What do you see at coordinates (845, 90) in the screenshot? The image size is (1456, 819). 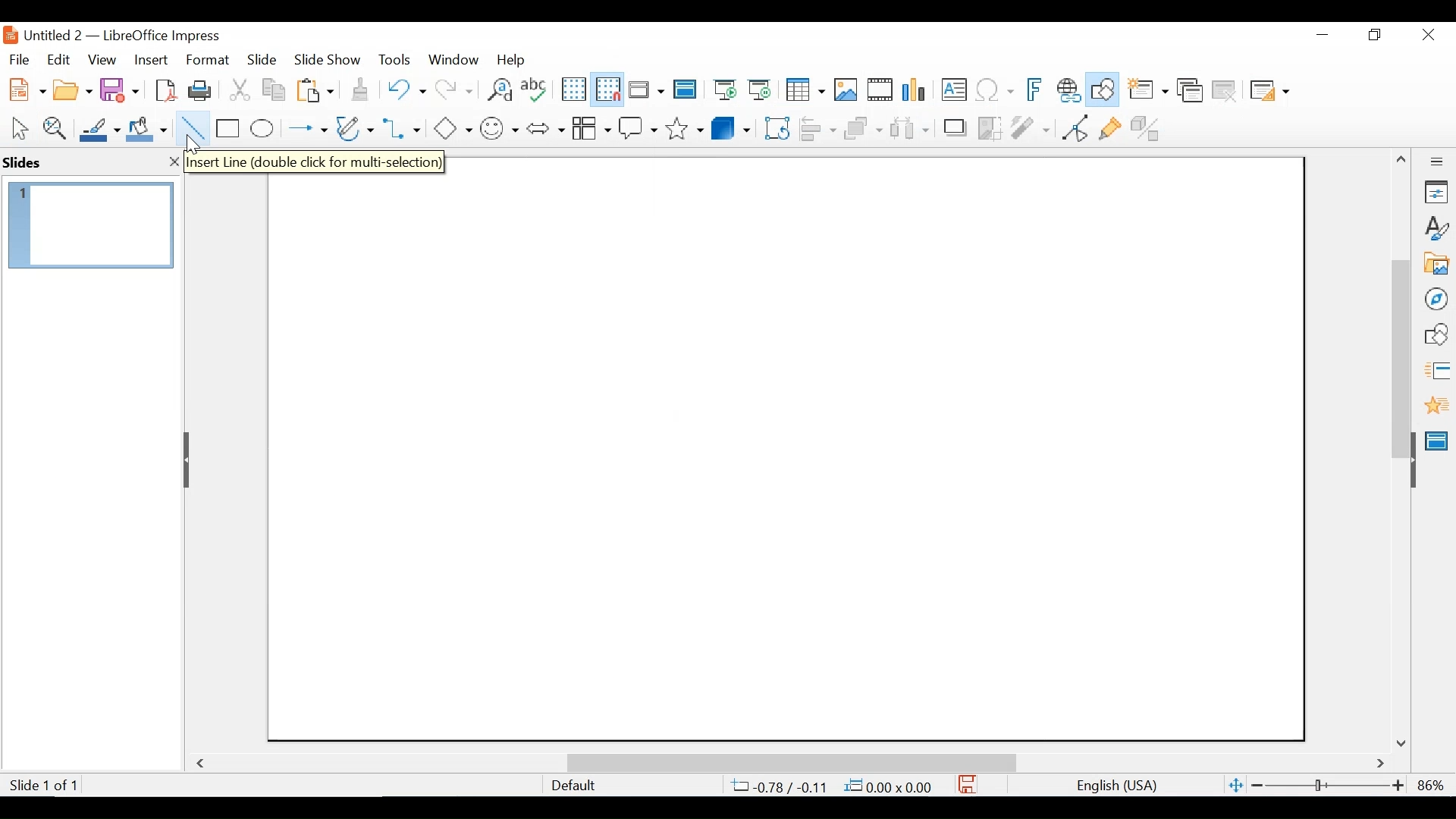 I see `Insert Image` at bounding box center [845, 90].